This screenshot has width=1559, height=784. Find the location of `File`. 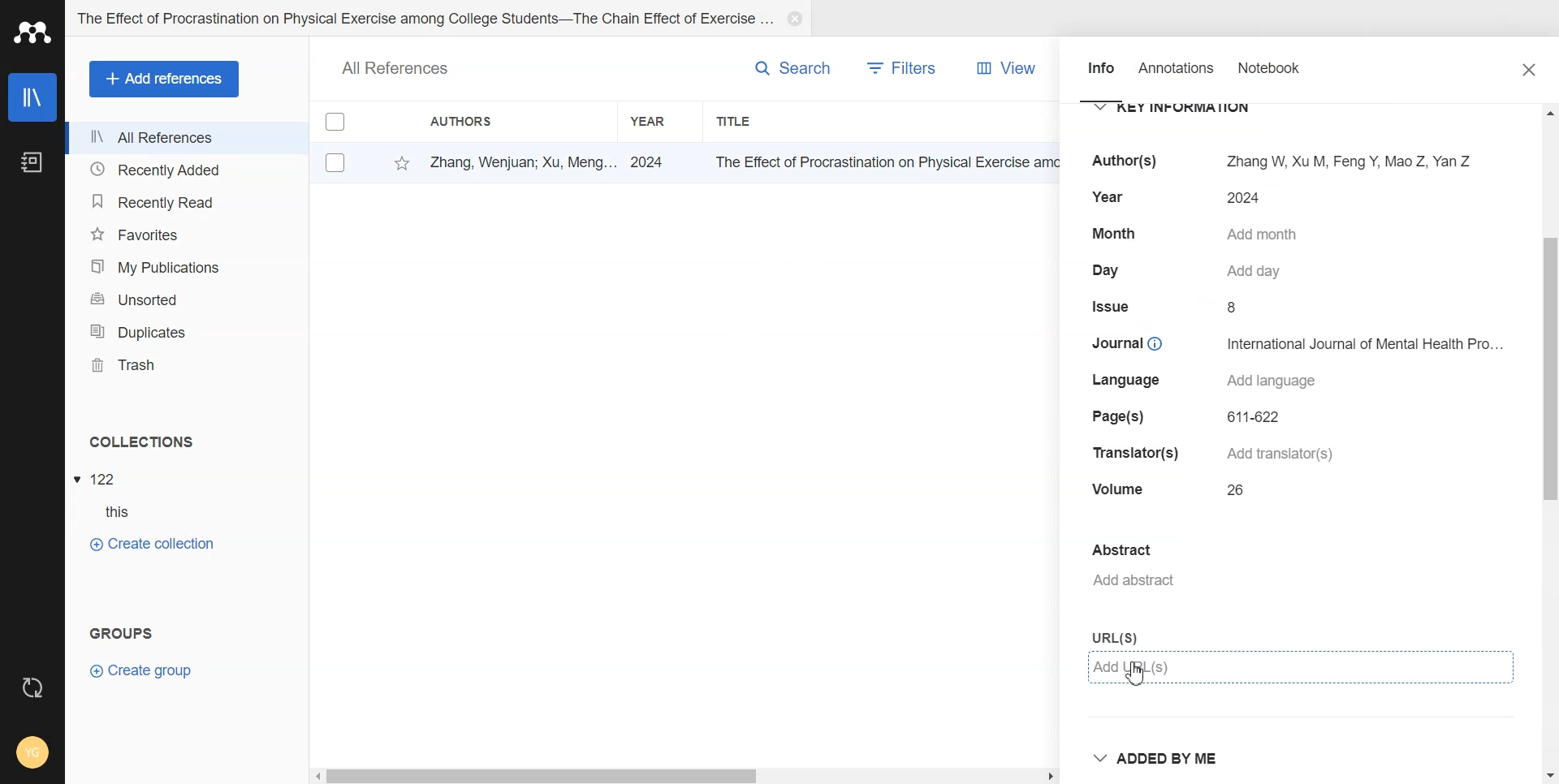

File is located at coordinates (100, 478).